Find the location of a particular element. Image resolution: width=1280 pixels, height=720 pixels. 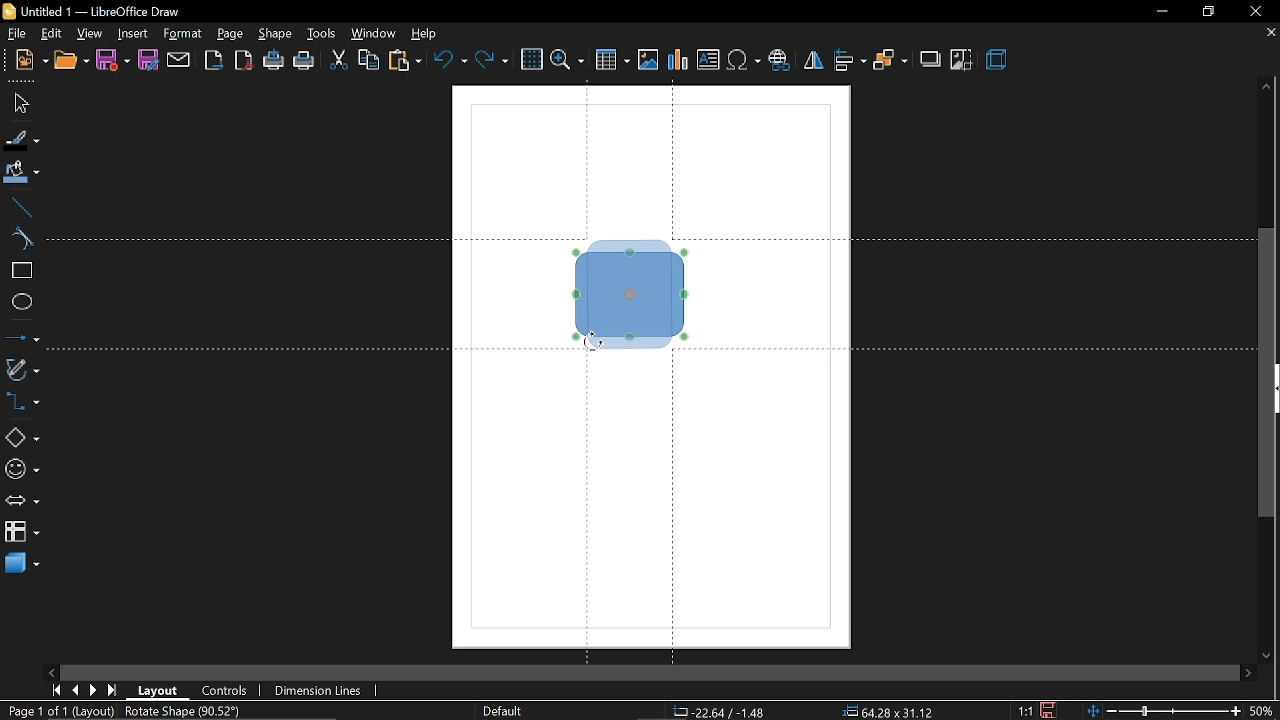

move down is located at coordinates (1269, 654).